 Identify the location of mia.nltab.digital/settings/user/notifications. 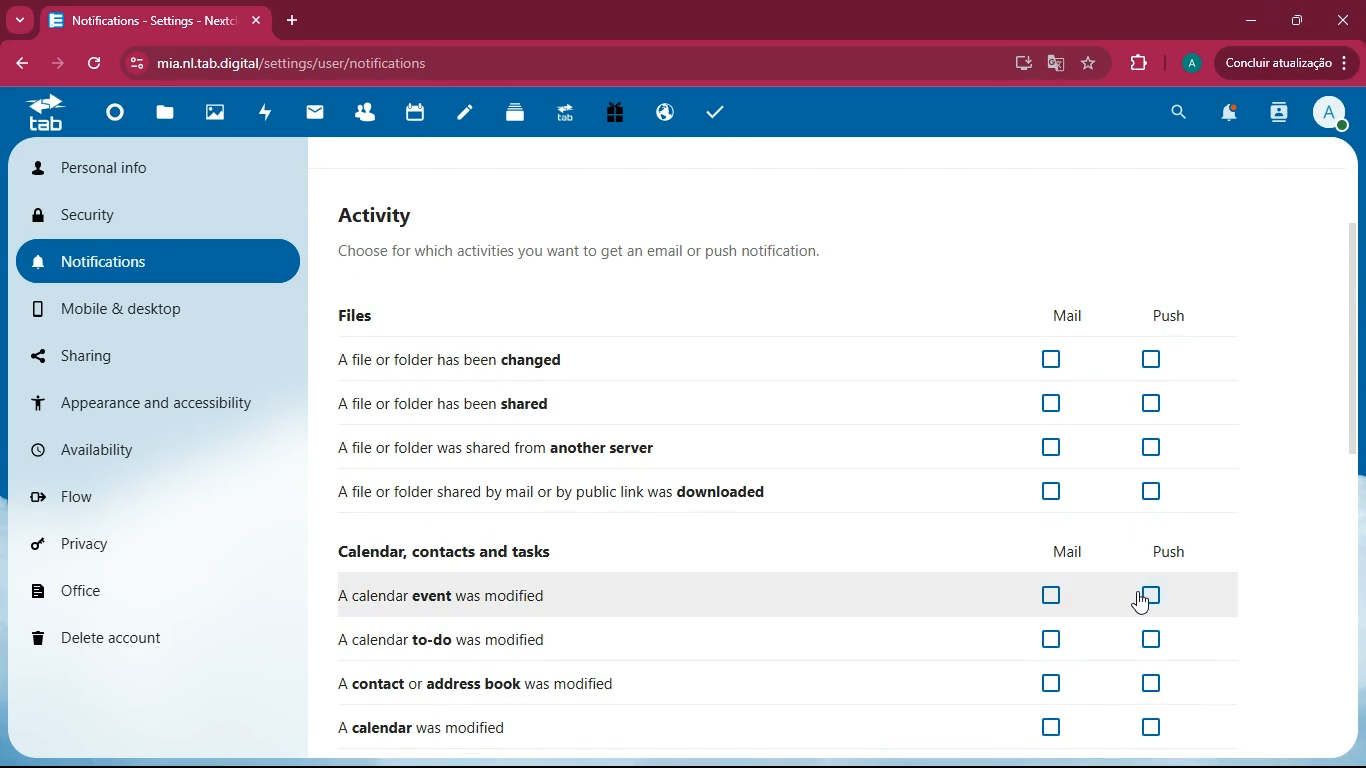
(300, 62).